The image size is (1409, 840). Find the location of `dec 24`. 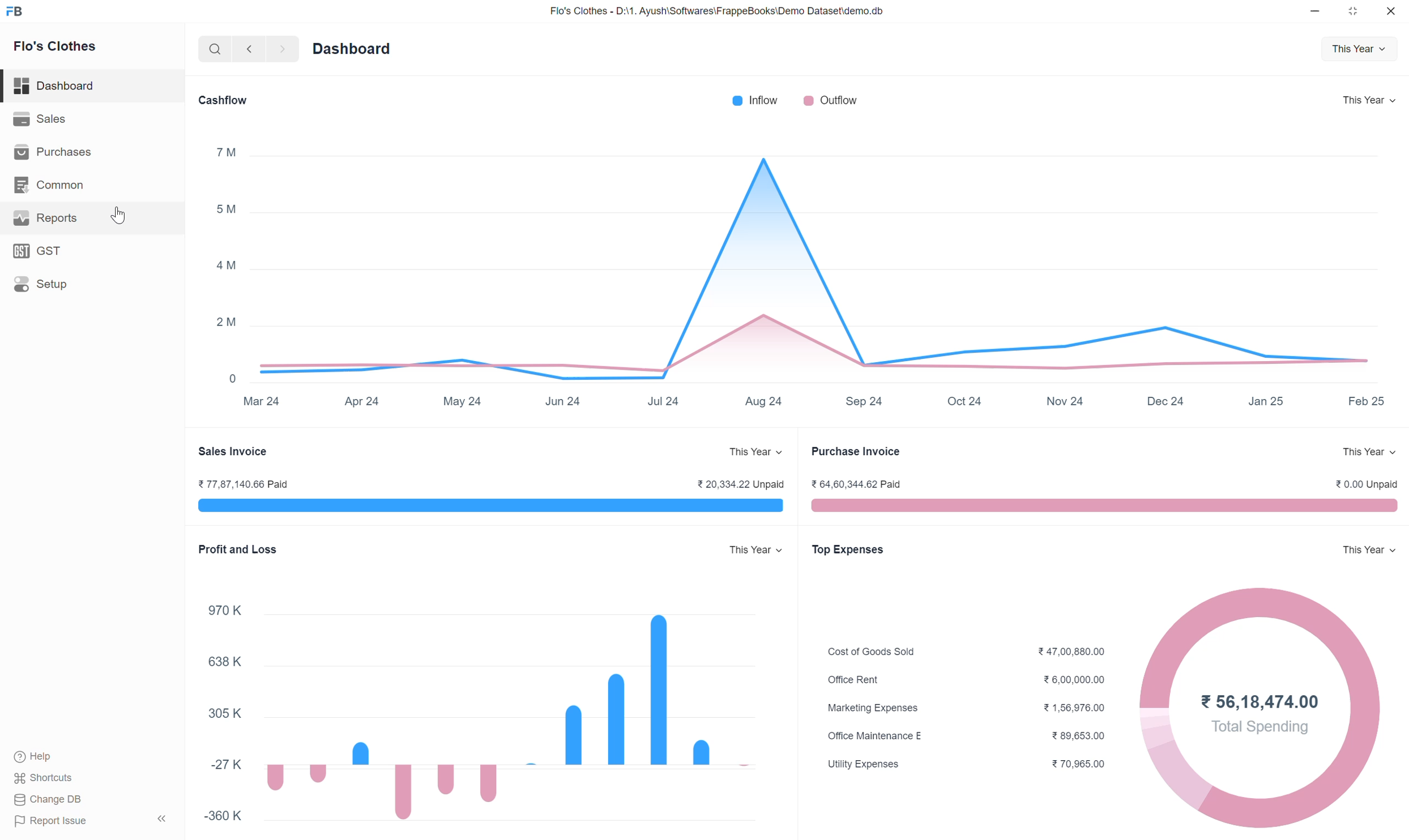

dec 24 is located at coordinates (1168, 401).